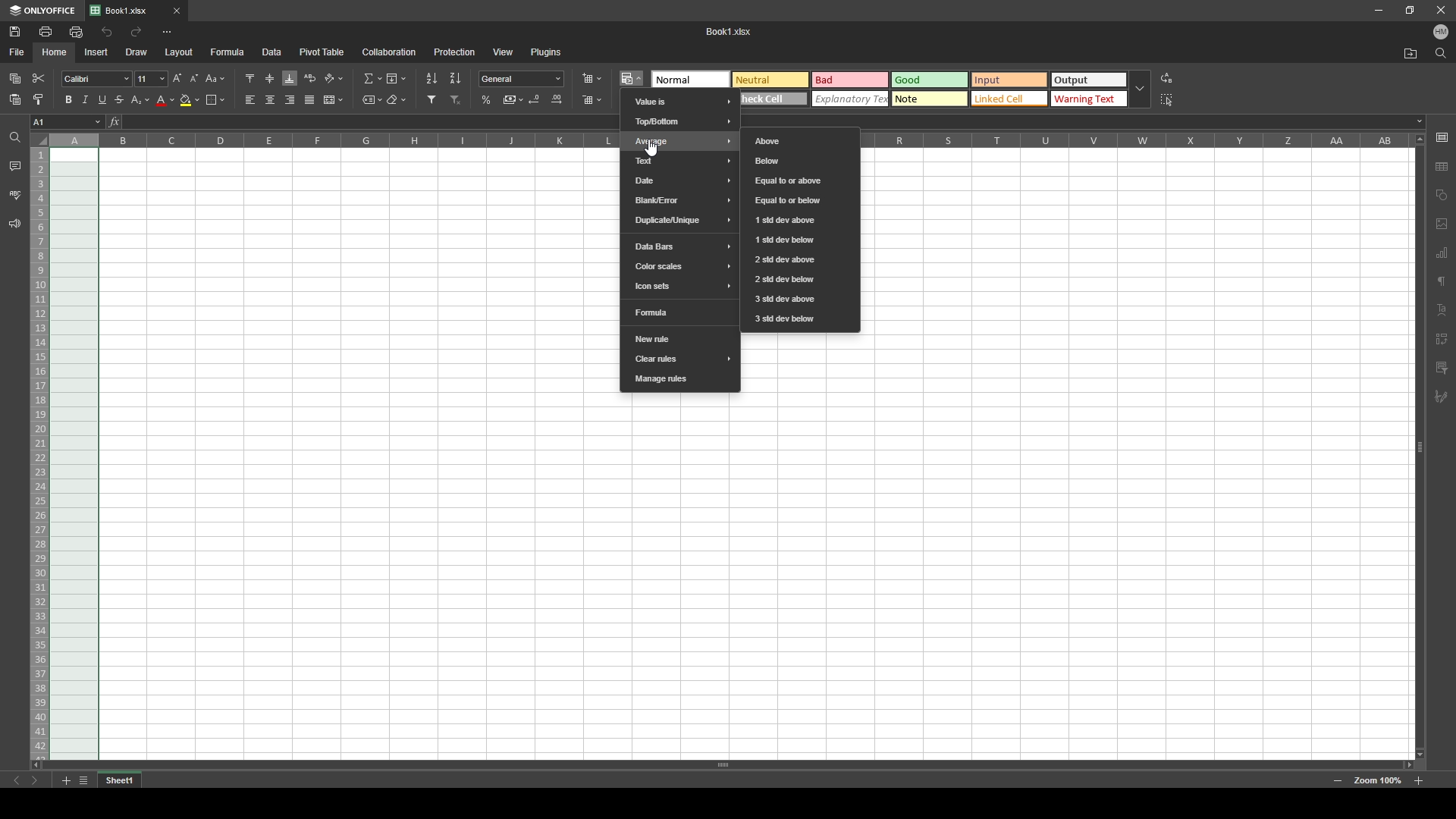  What do you see at coordinates (557, 99) in the screenshot?
I see `increase decimal` at bounding box center [557, 99].